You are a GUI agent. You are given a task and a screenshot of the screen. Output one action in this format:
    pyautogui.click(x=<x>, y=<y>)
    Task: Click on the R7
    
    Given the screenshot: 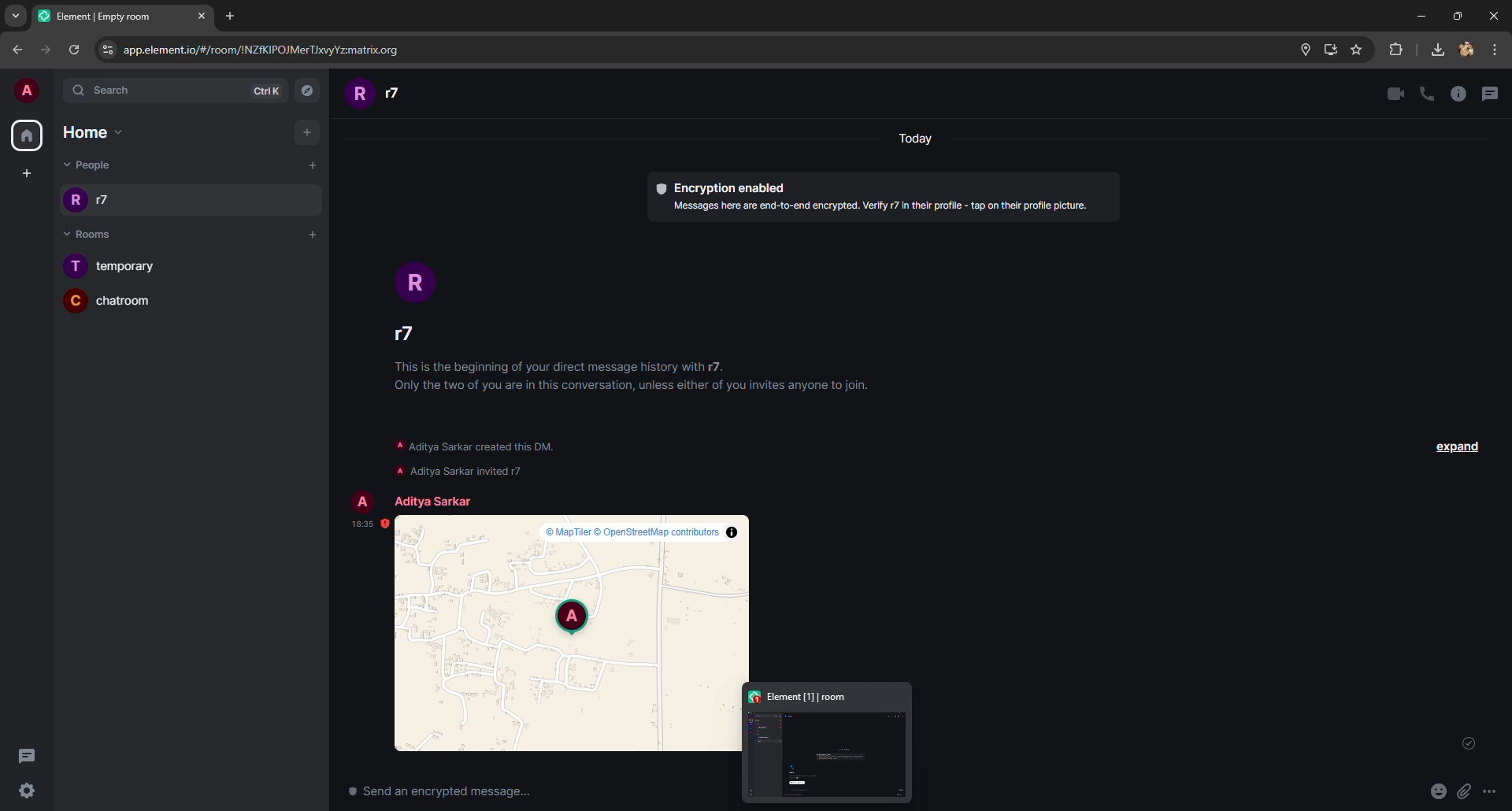 What is the action you would take?
    pyautogui.click(x=176, y=199)
    